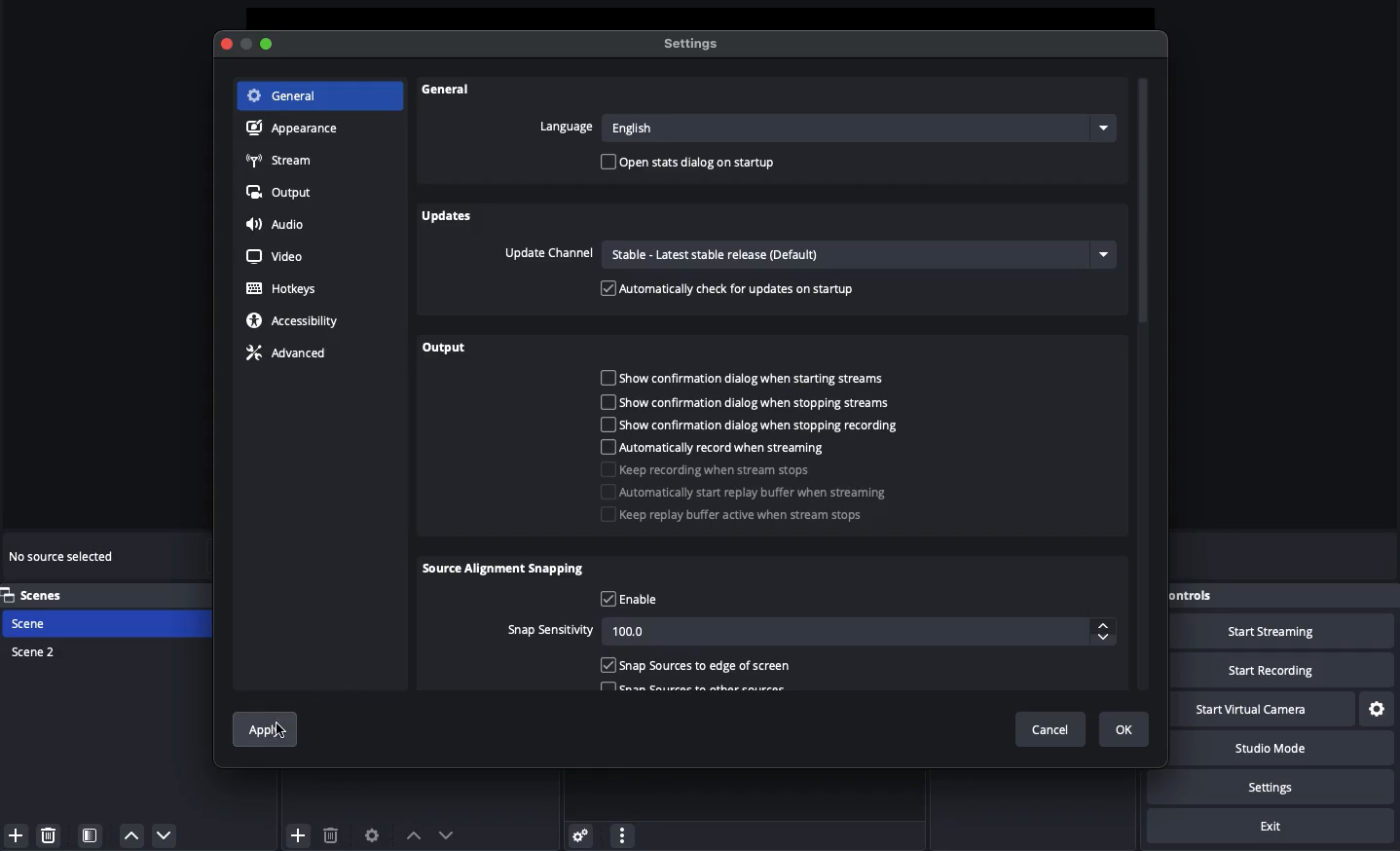 The width and height of the screenshot is (1400, 851). Describe the element at coordinates (691, 164) in the screenshot. I see `Open status dialog on startup` at that location.